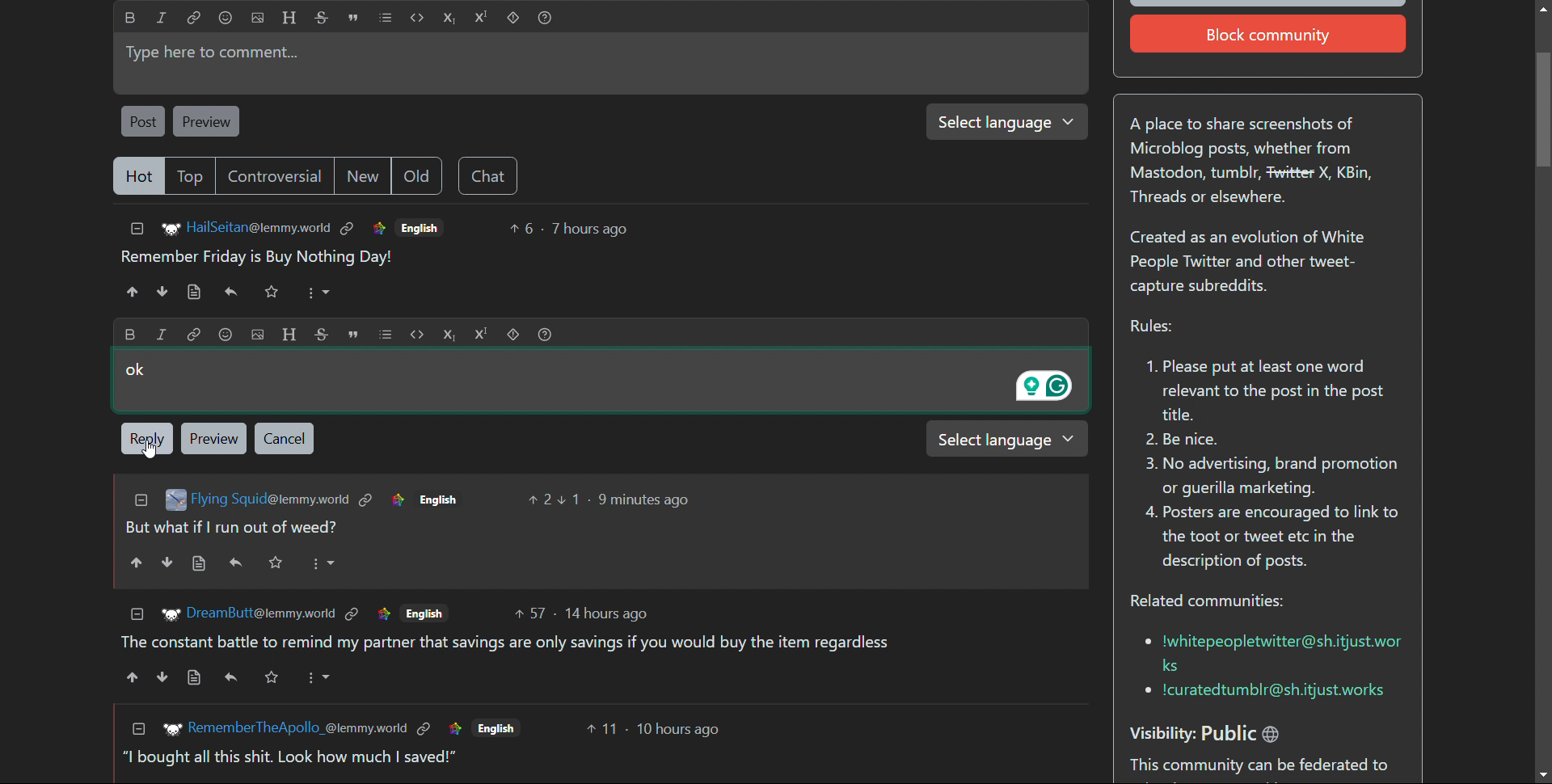 This screenshot has width=1552, height=784. Describe the element at coordinates (130, 292) in the screenshot. I see `upvotes` at that location.